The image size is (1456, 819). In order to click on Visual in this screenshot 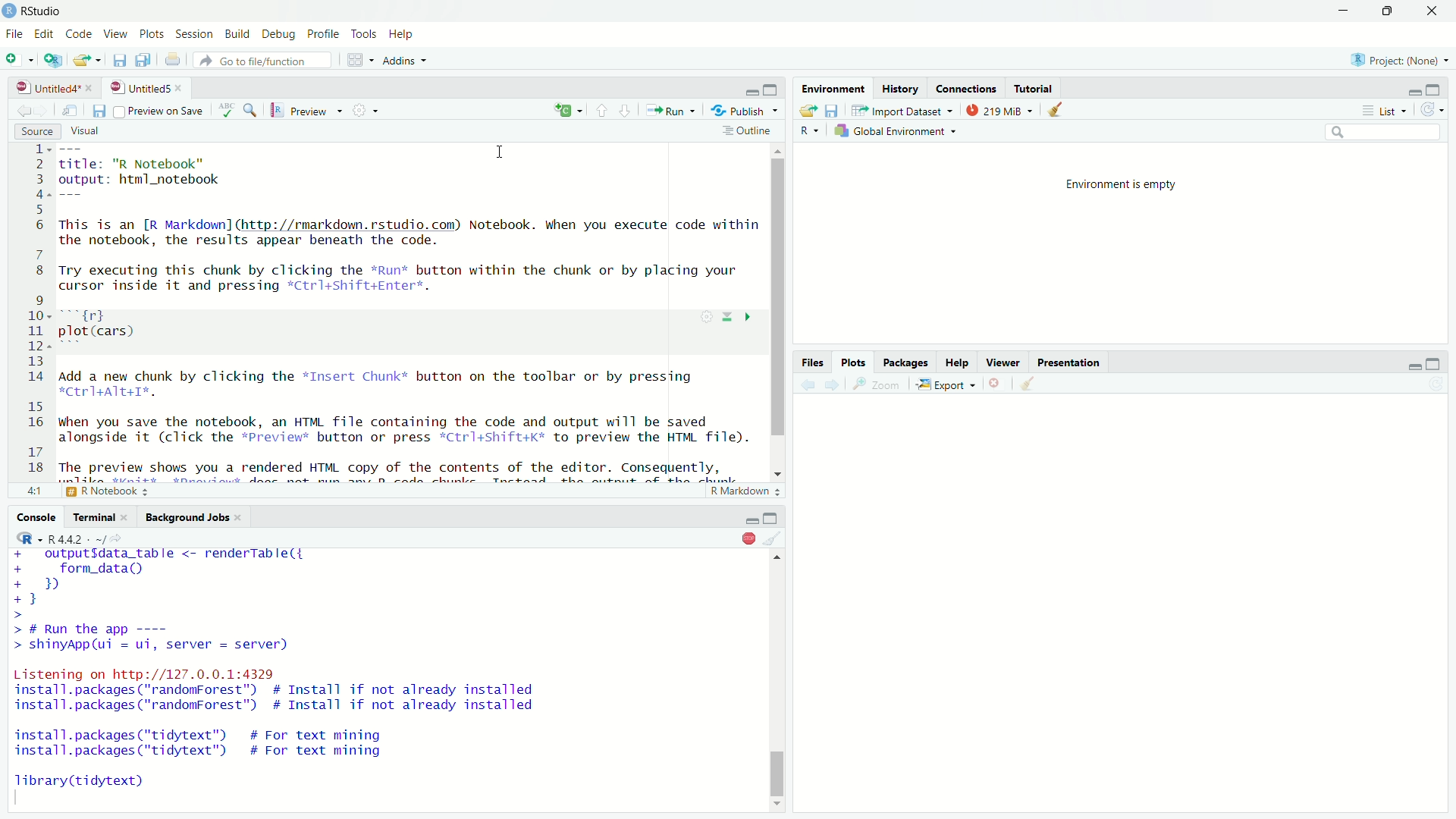, I will do `click(86, 132)`.